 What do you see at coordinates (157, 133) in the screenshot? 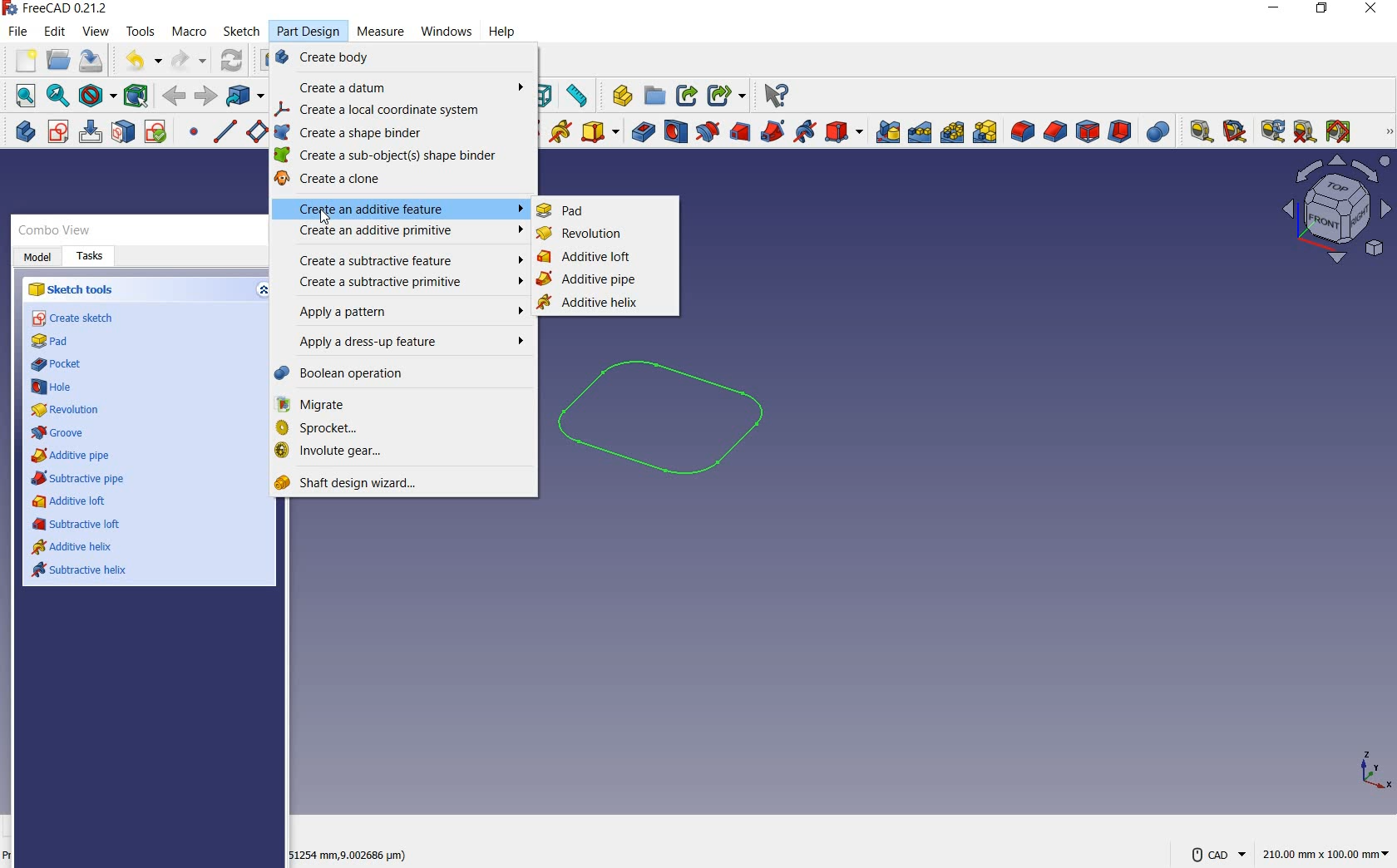
I see `validate sketch` at bounding box center [157, 133].